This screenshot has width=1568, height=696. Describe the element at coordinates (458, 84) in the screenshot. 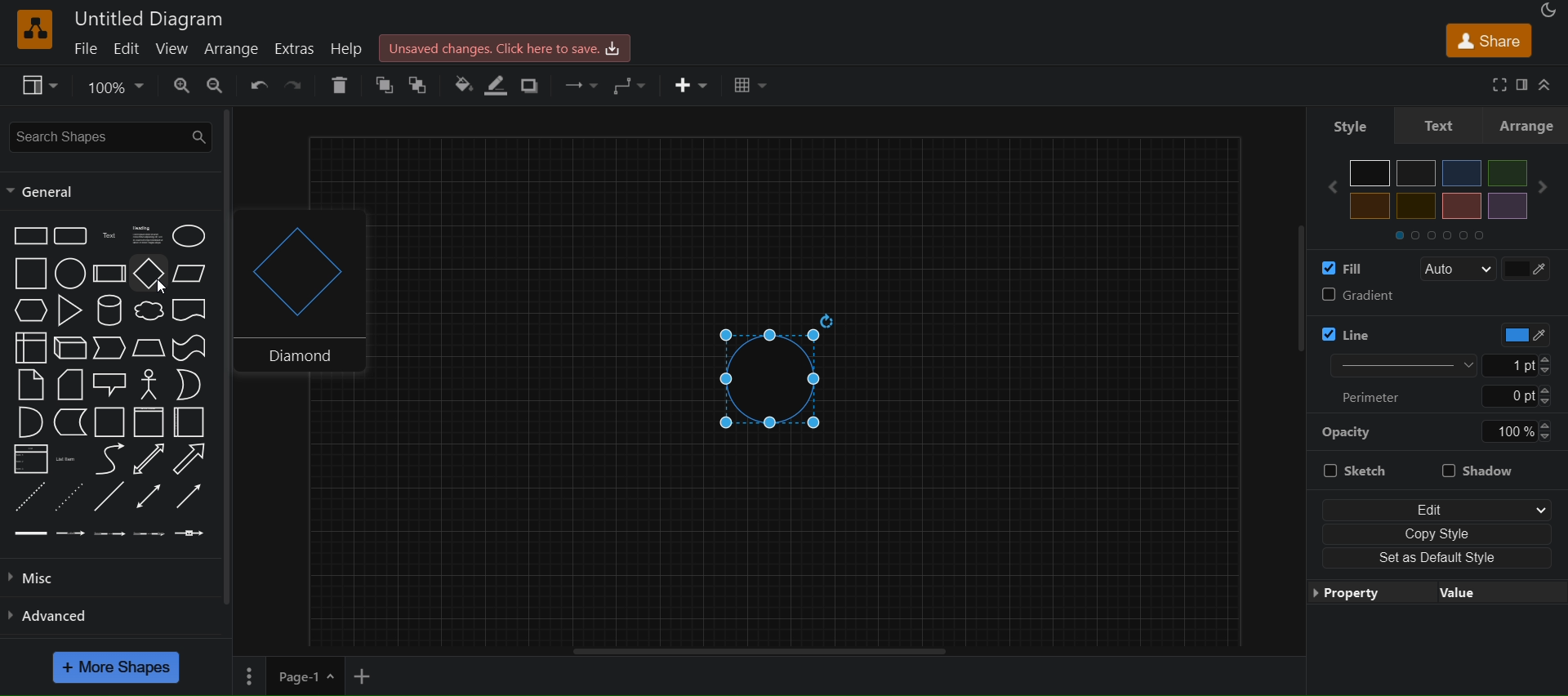

I see `fill color` at that location.